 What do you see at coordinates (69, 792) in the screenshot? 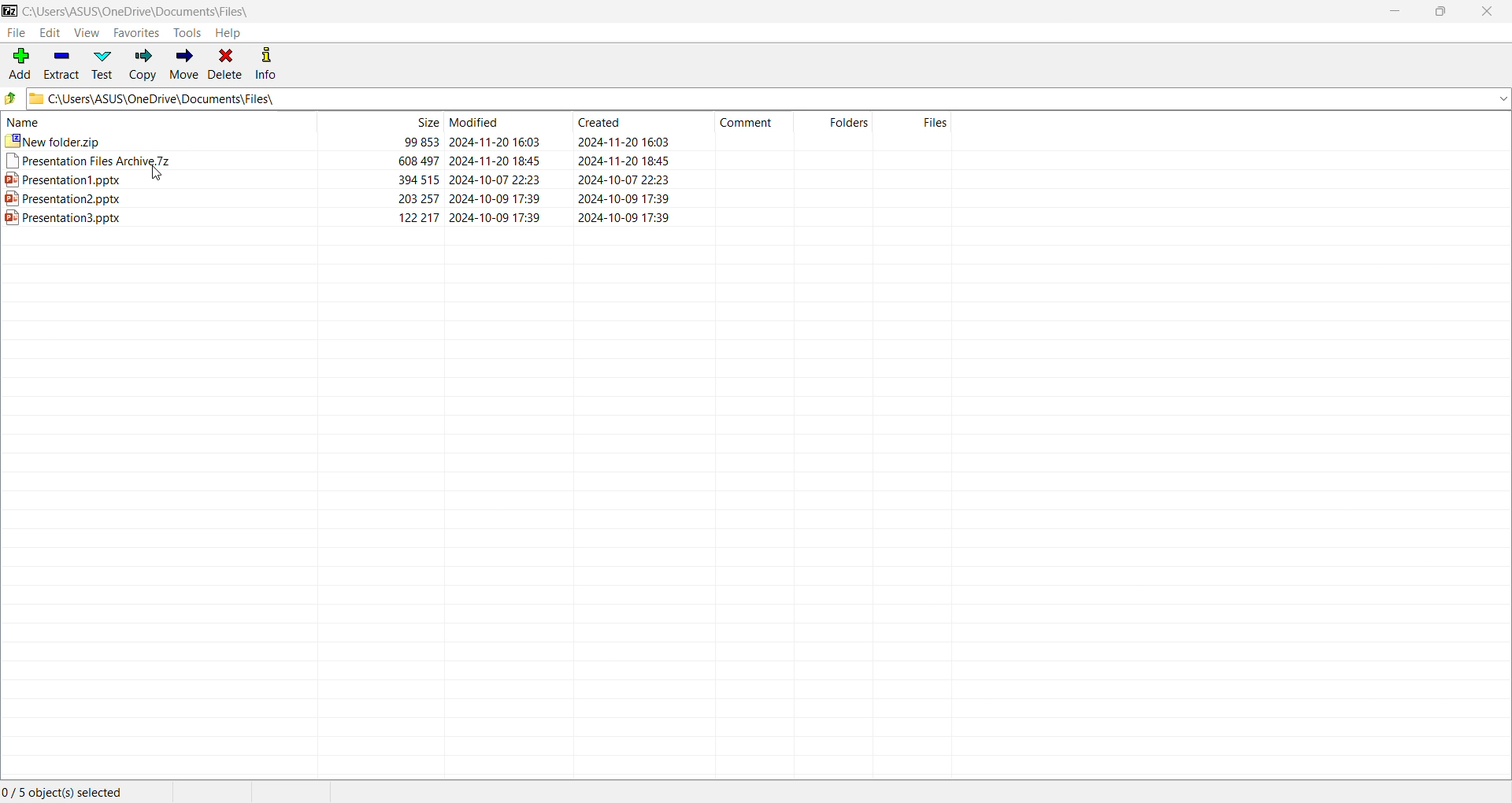
I see `Current Selection` at bounding box center [69, 792].